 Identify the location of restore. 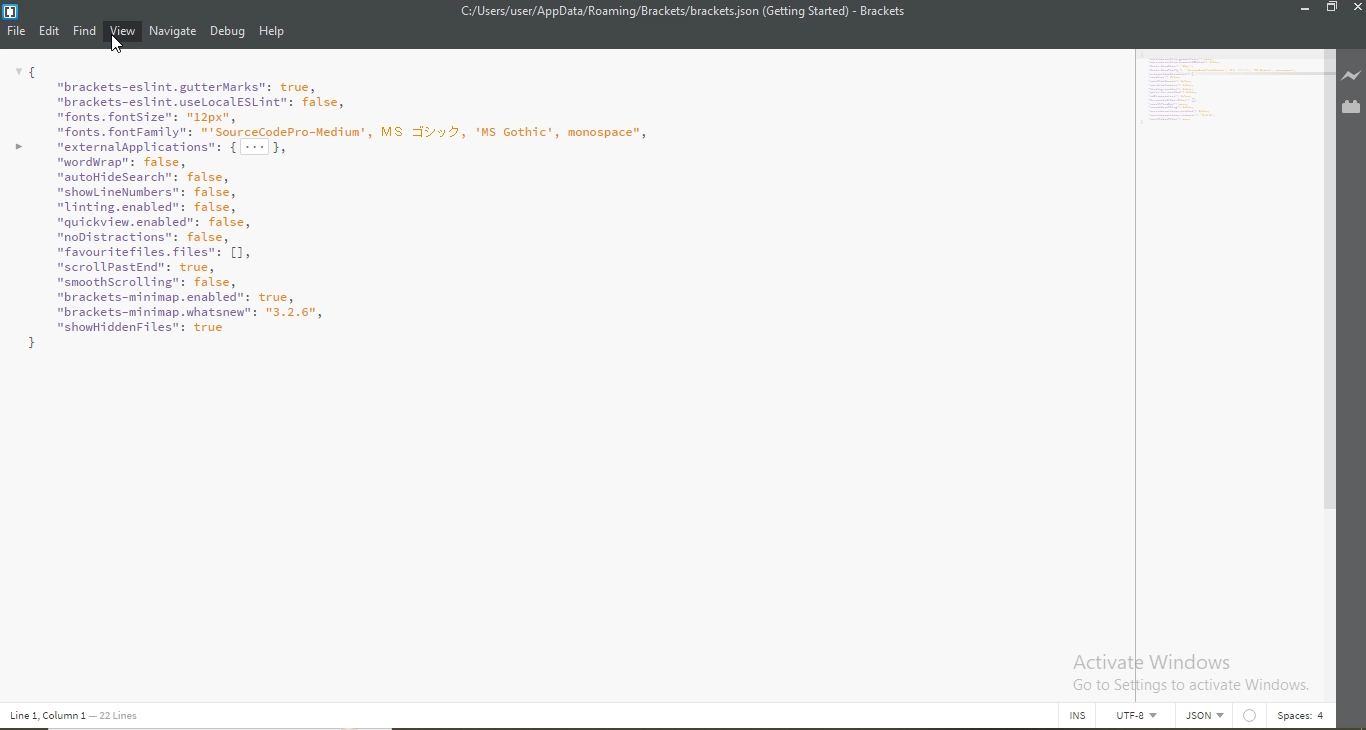
(1332, 9).